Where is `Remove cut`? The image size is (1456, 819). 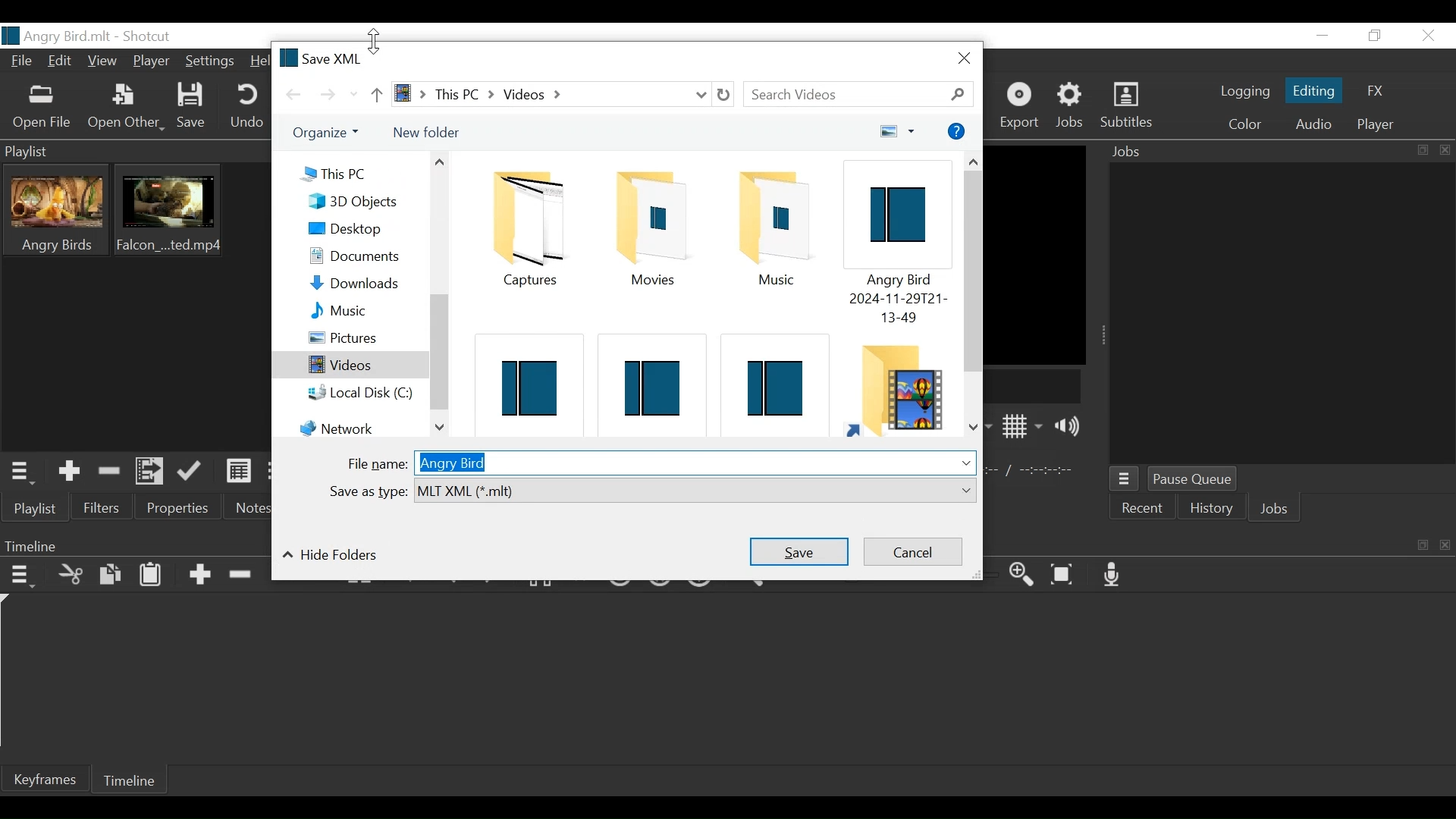 Remove cut is located at coordinates (110, 471).